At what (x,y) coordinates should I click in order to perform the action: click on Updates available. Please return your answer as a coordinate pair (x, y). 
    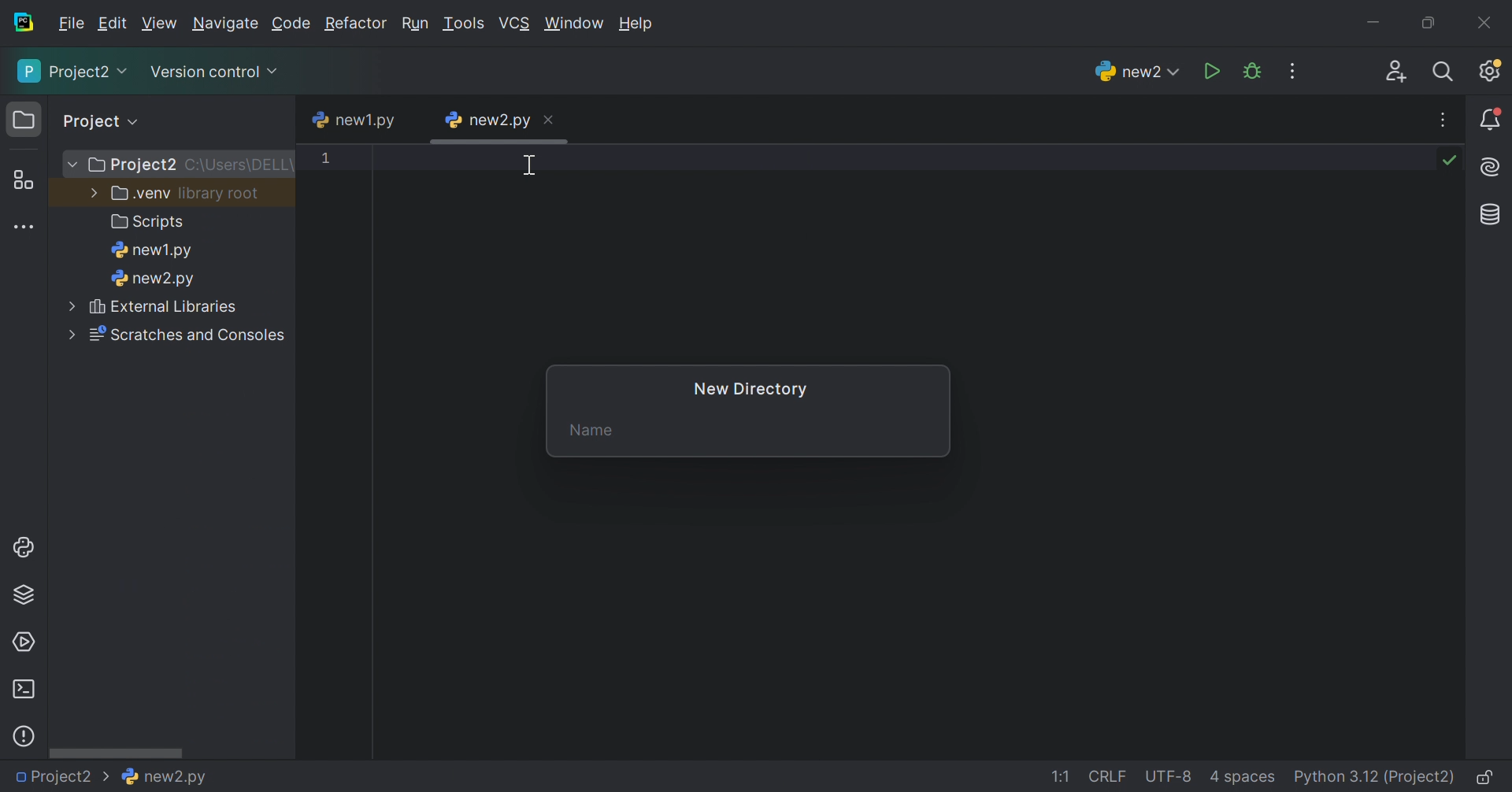
    Looking at the image, I should click on (1488, 72).